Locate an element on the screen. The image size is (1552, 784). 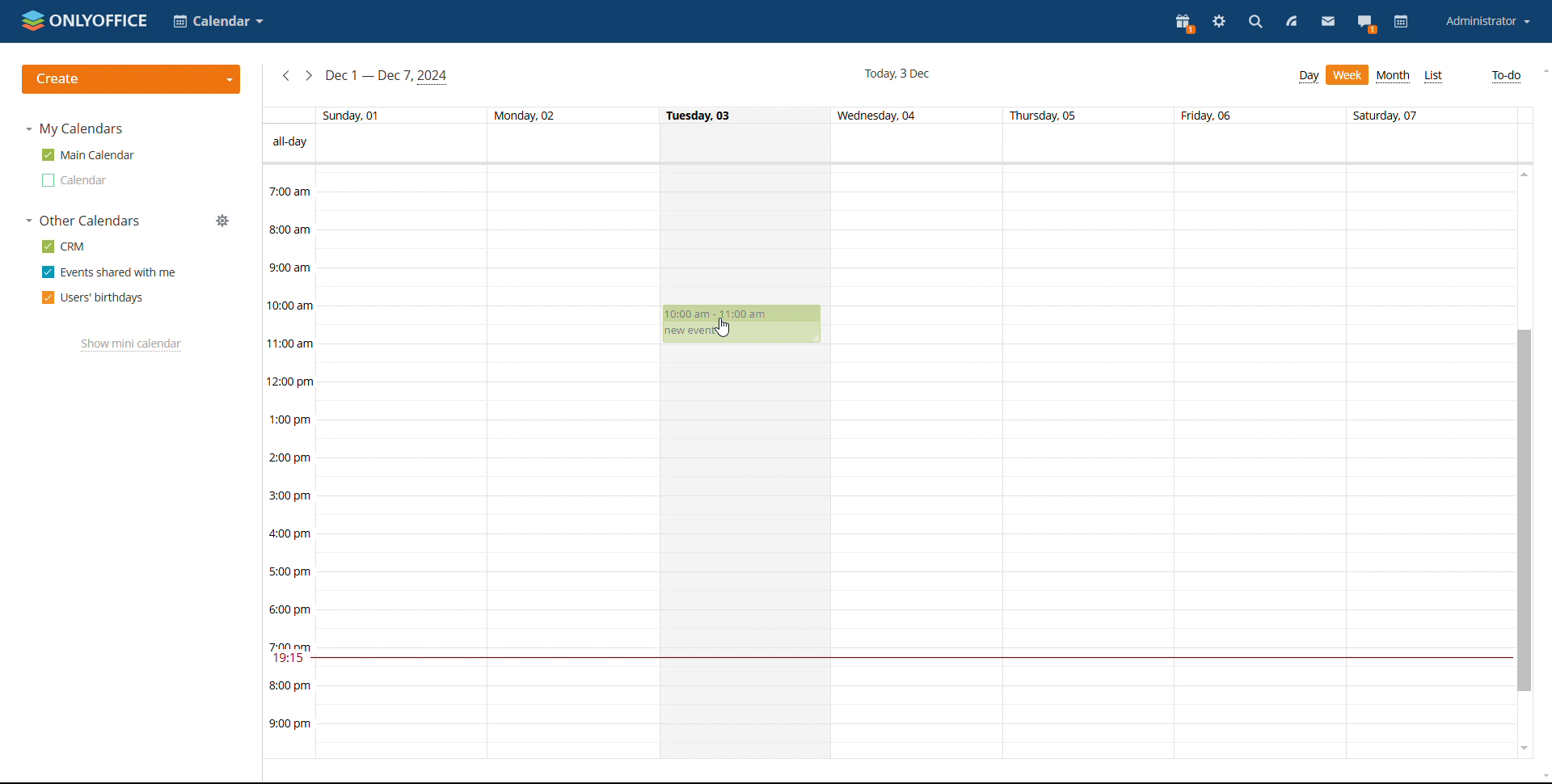
mail is located at coordinates (1327, 23).